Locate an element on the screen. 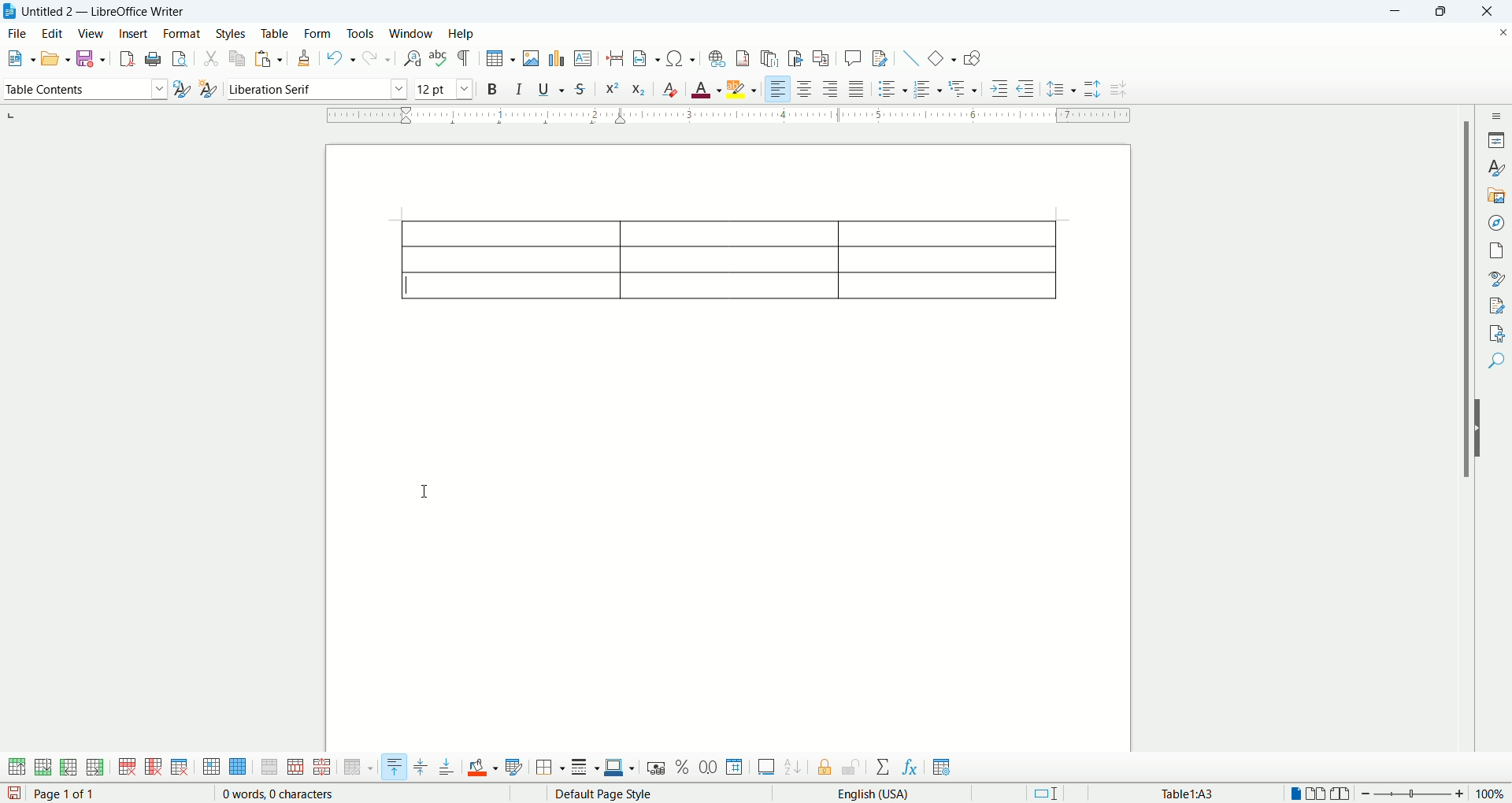 Image resolution: width=1512 pixels, height=803 pixels. find is located at coordinates (1495, 361).